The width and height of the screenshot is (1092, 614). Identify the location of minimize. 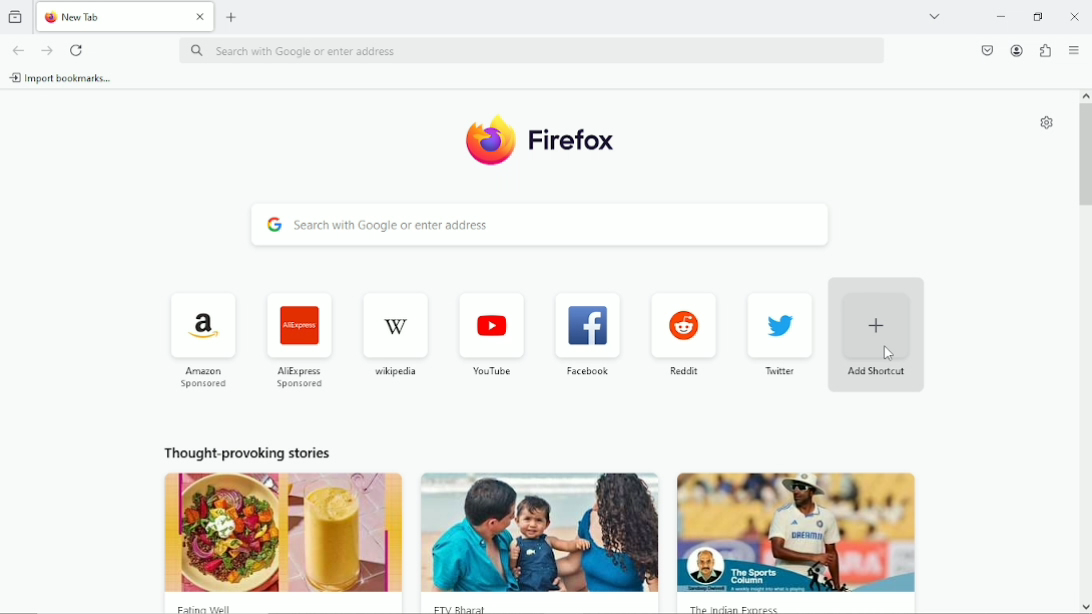
(999, 17).